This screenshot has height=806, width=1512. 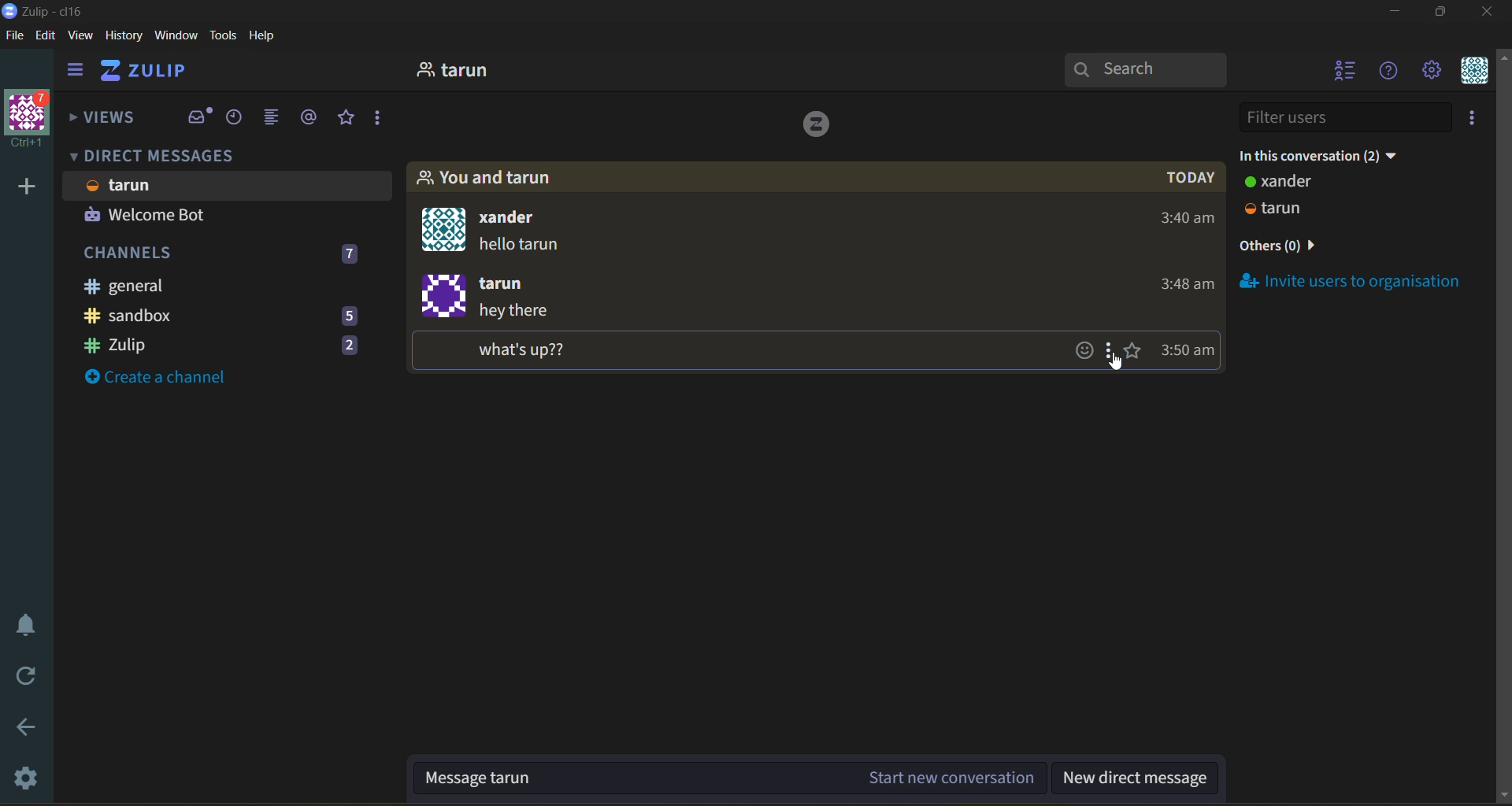 I want to click on file, so click(x=13, y=34).